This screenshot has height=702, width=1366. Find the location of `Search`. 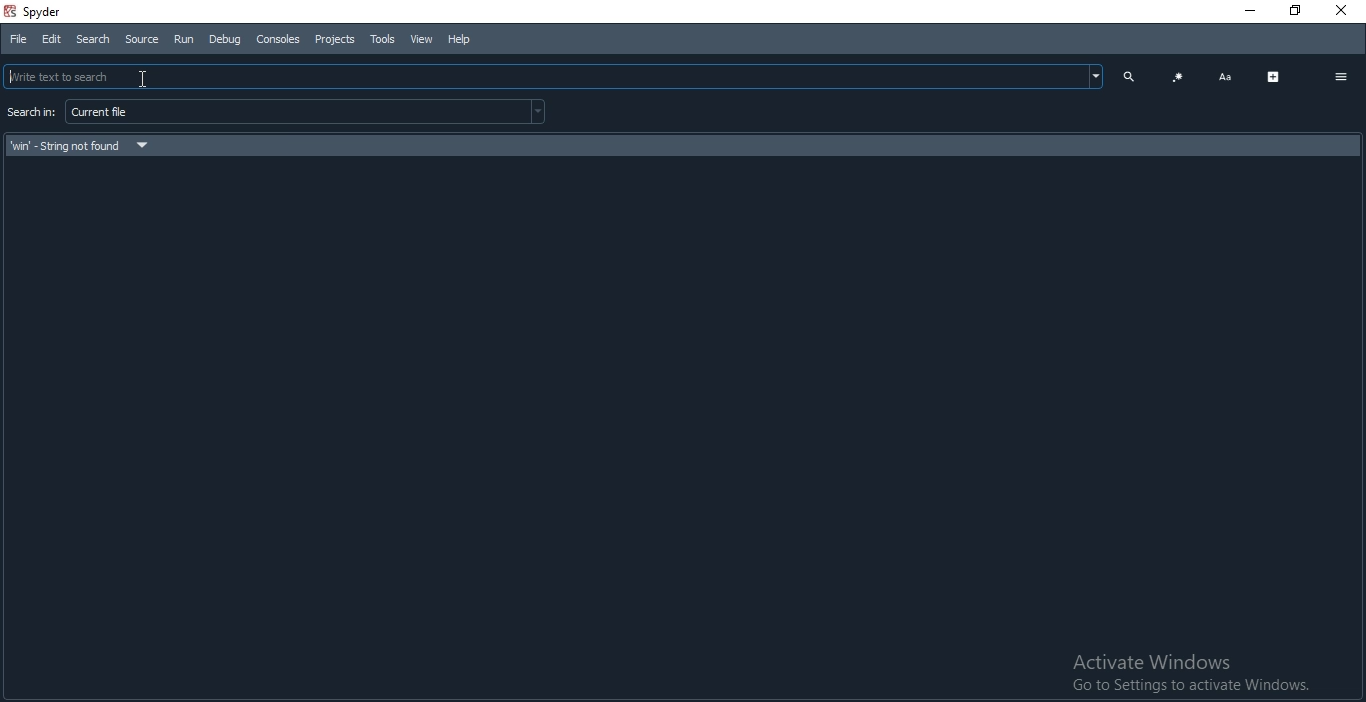

Search is located at coordinates (93, 40).